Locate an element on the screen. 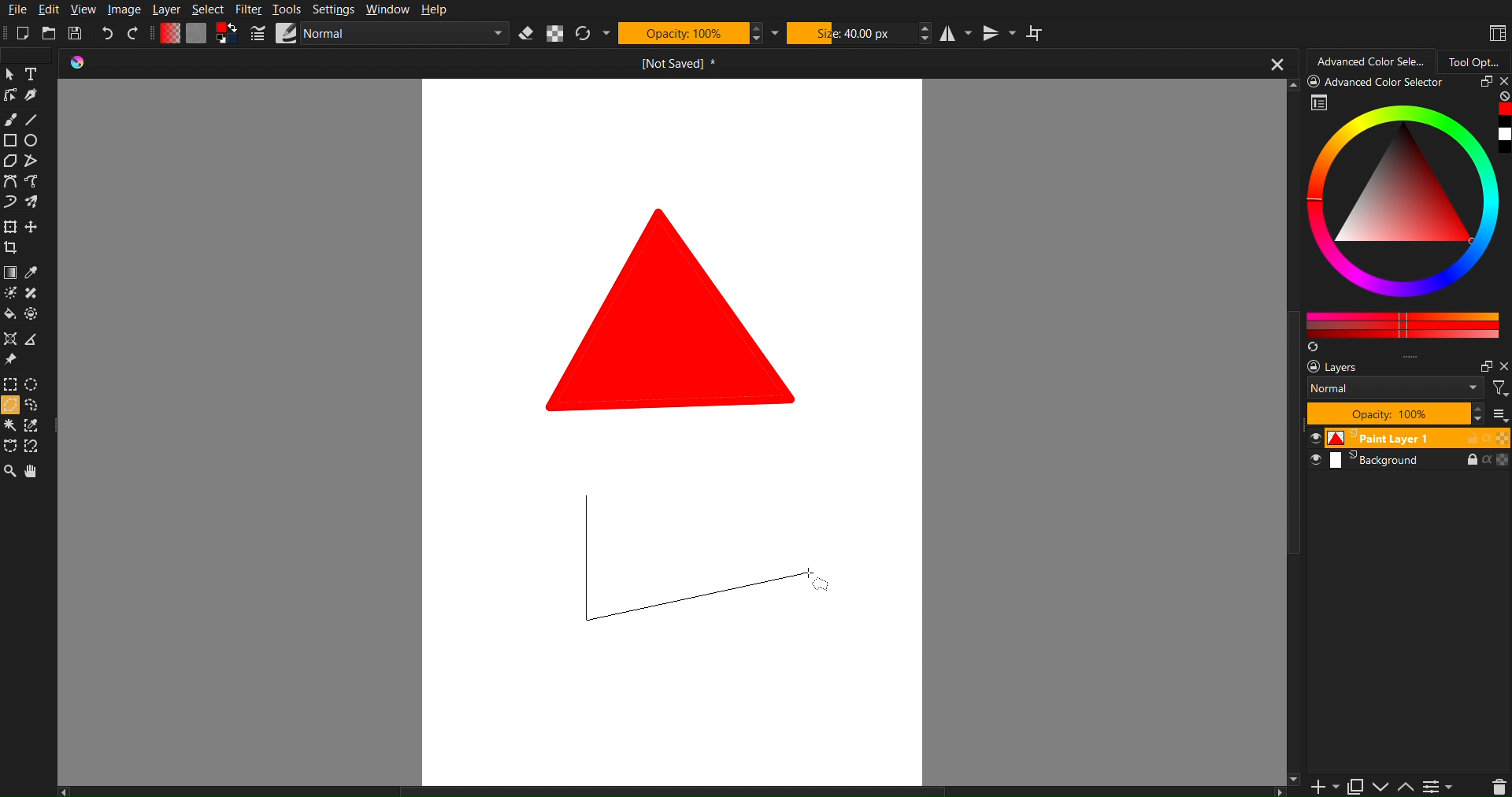  Layer Controls is located at coordinates (1499, 786).